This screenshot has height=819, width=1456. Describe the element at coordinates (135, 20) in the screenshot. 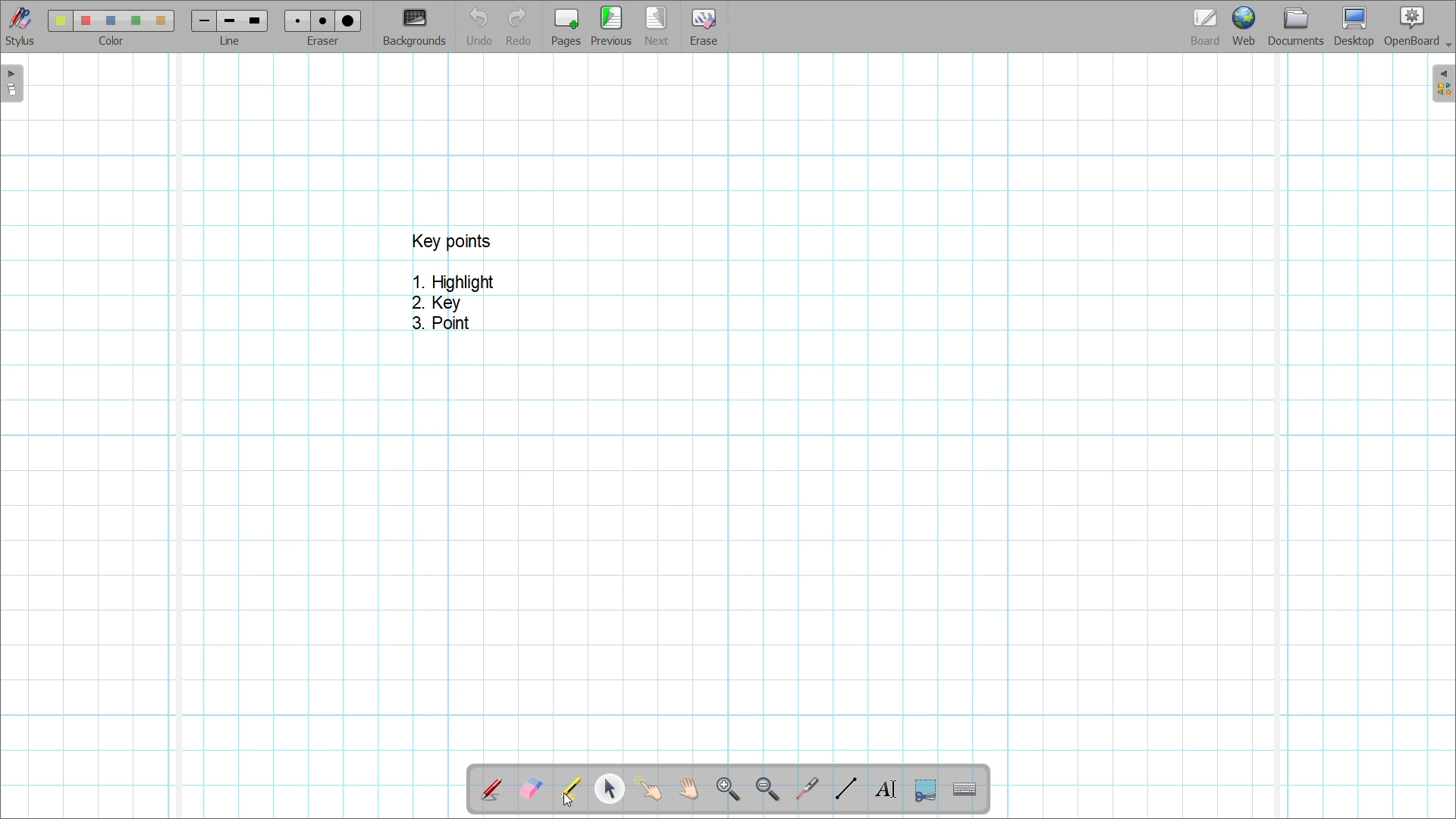

I see `color4` at that location.